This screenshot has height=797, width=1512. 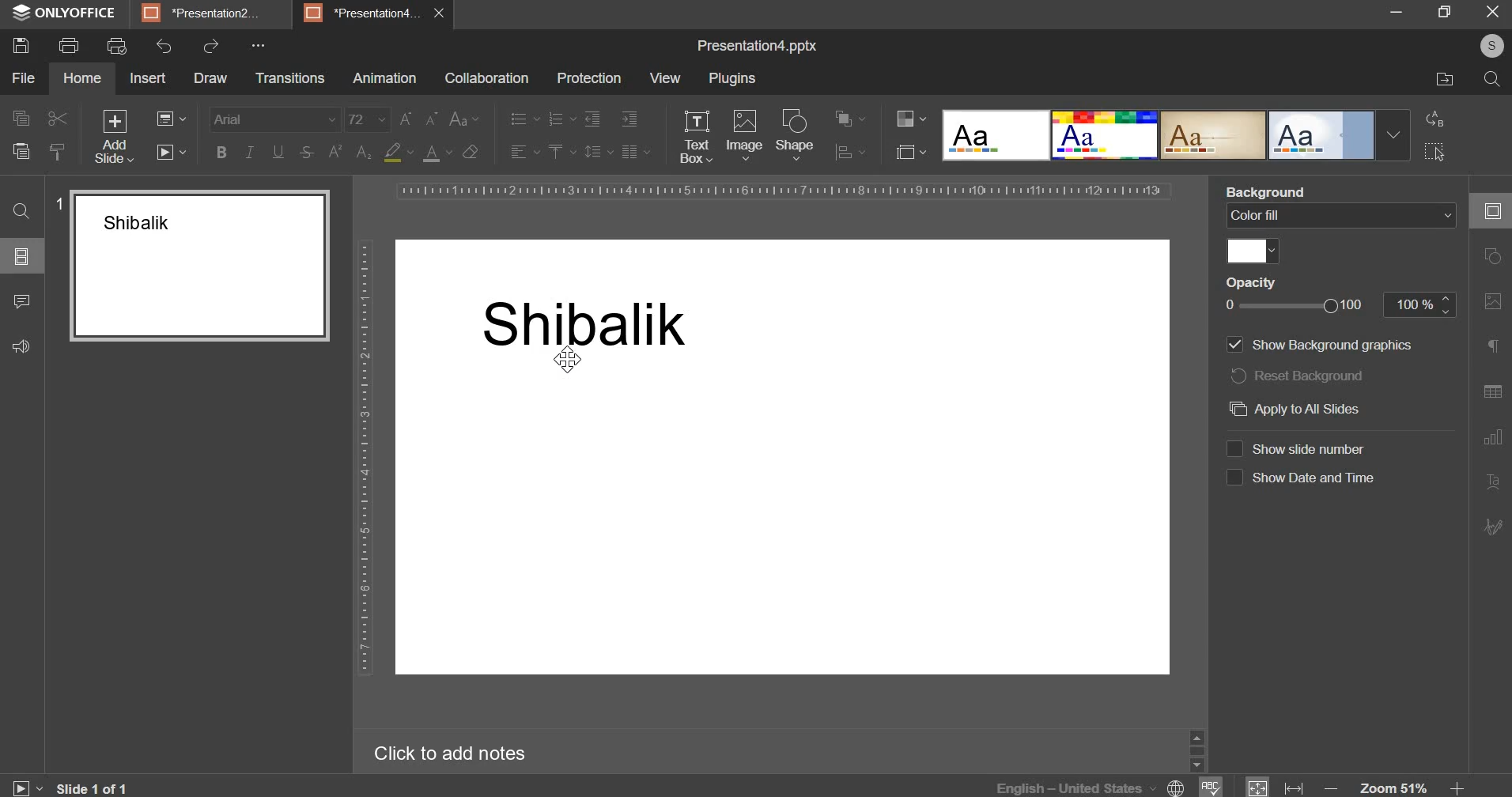 I want to click on Show slide number, so click(x=1306, y=448).